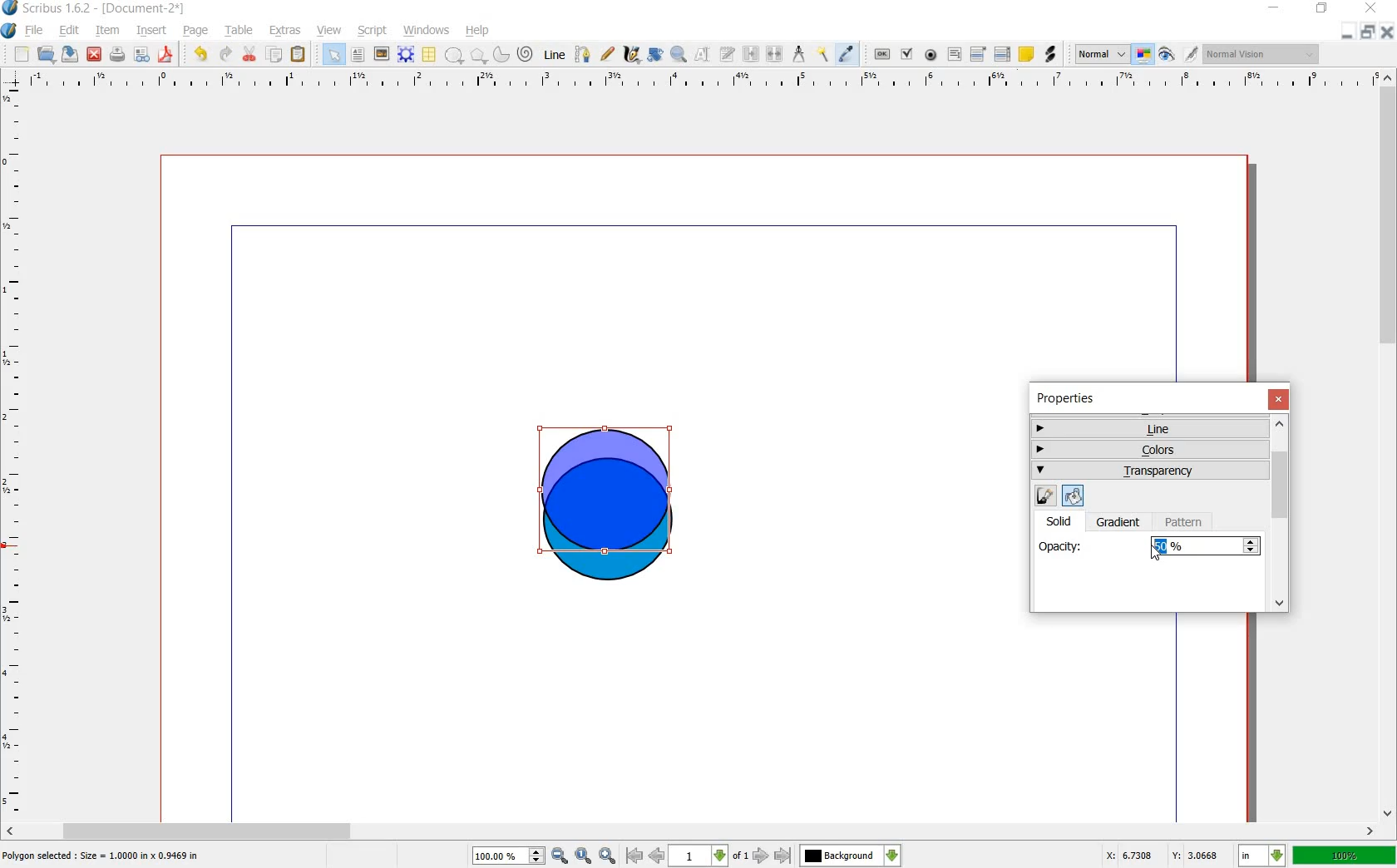  What do you see at coordinates (1368, 33) in the screenshot?
I see `restore` at bounding box center [1368, 33].